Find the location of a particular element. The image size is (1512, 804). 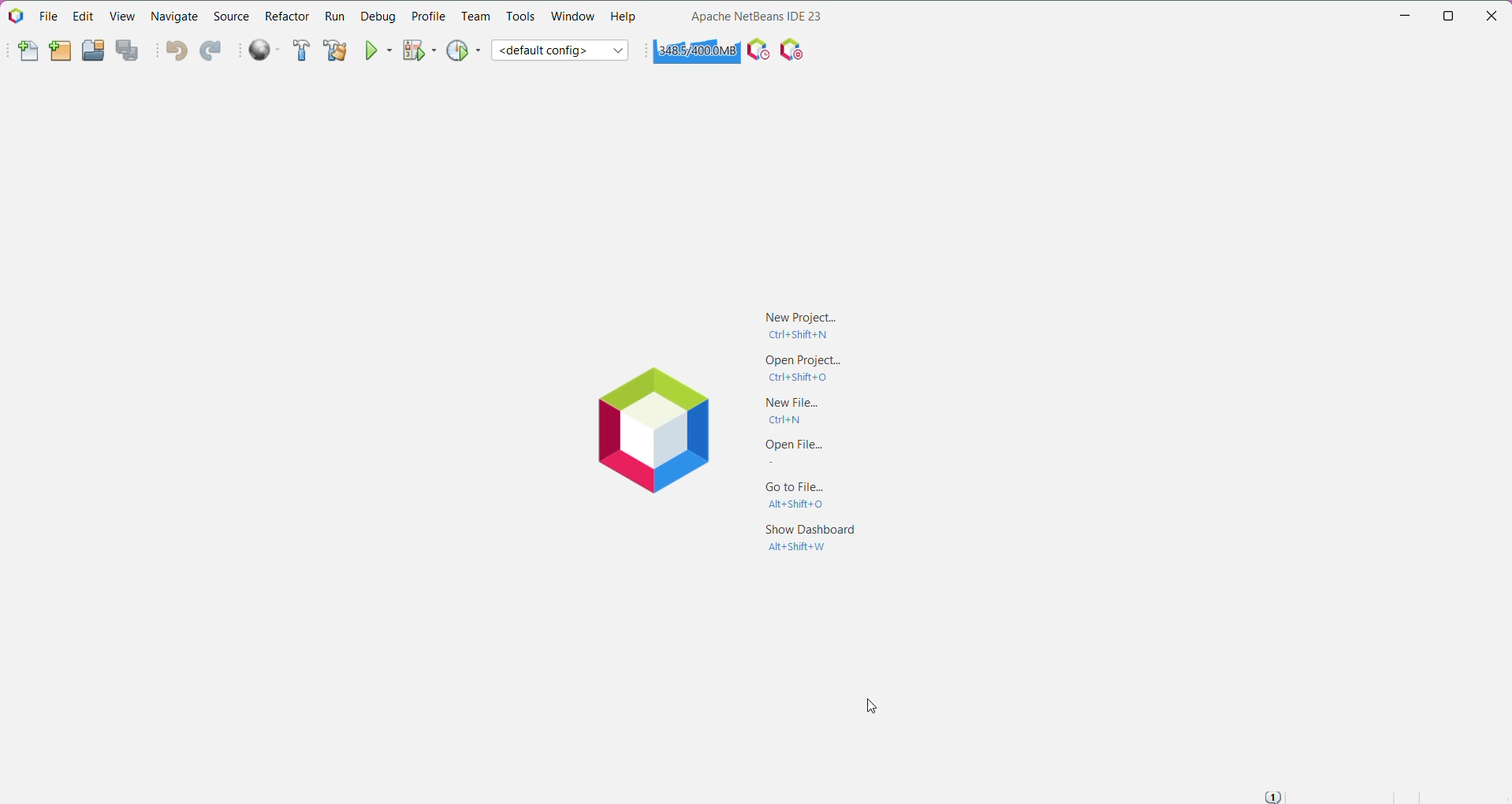

File is located at coordinates (49, 17).